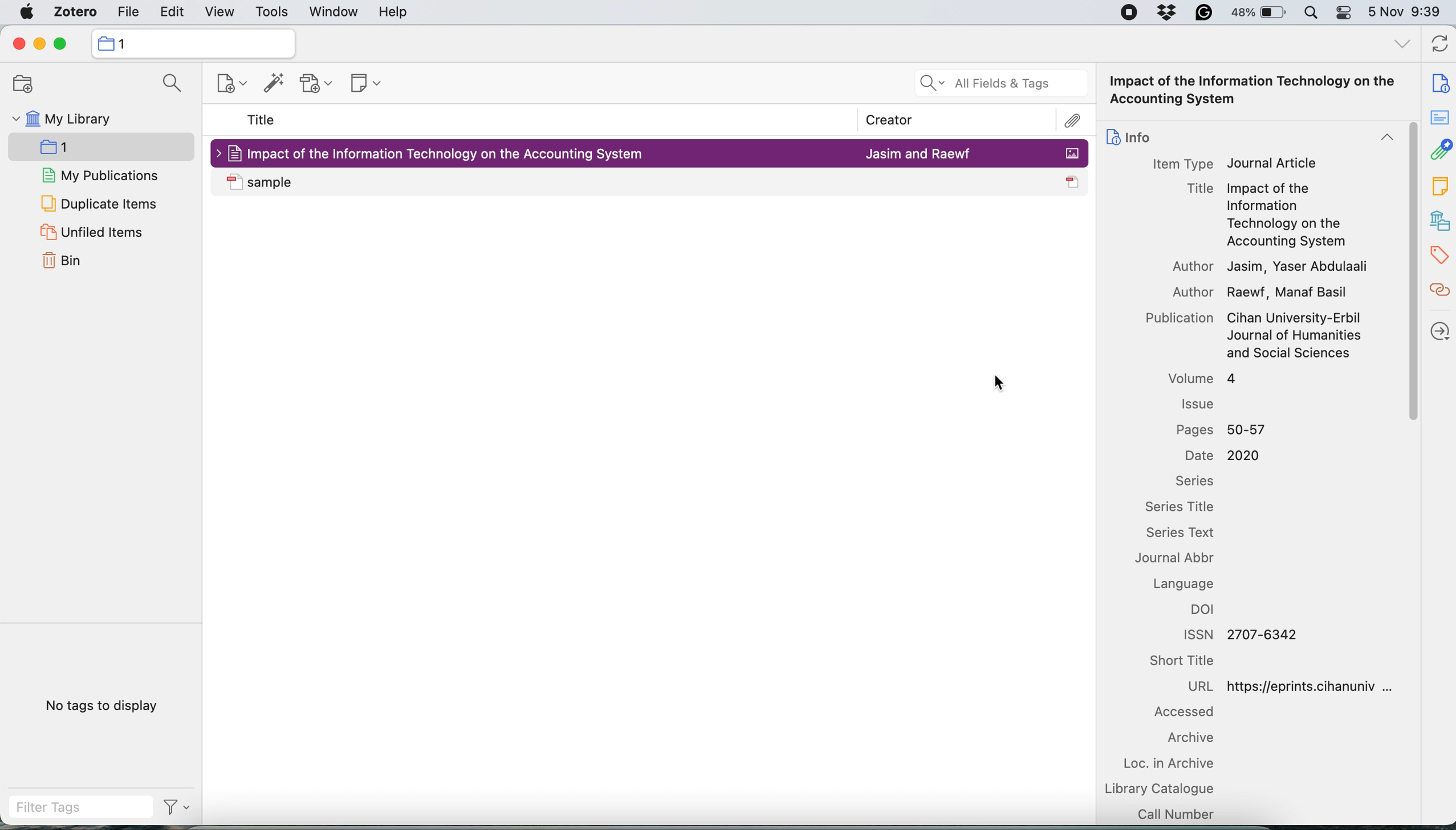 Image resolution: width=1456 pixels, height=830 pixels. I want to click on Cihan University-Erbil Journal of Humanities and Social Sciences, so click(1297, 335).